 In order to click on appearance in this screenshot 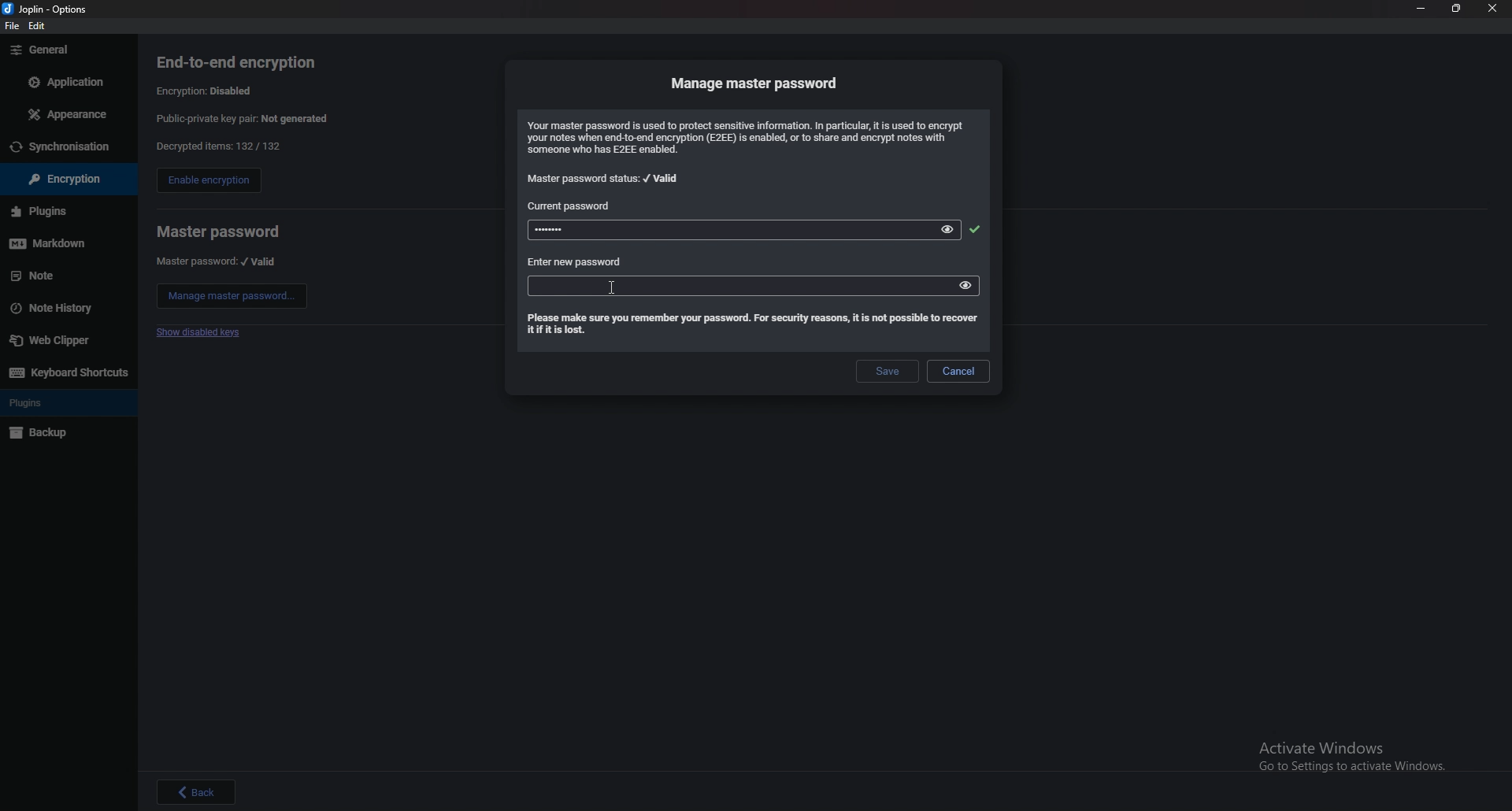, I will do `click(65, 115)`.